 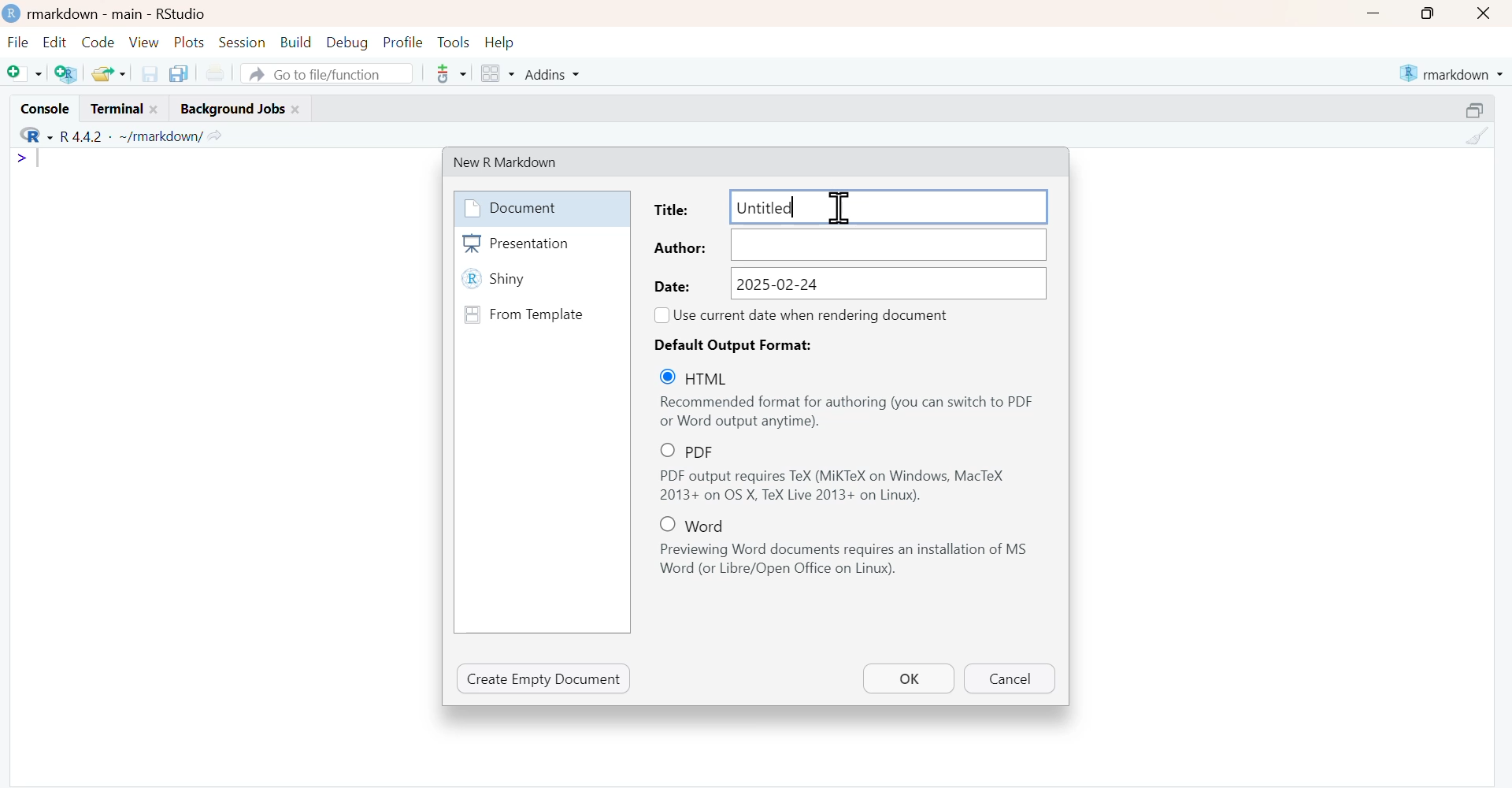 What do you see at coordinates (740, 344) in the screenshot?
I see `Default Output Format:` at bounding box center [740, 344].